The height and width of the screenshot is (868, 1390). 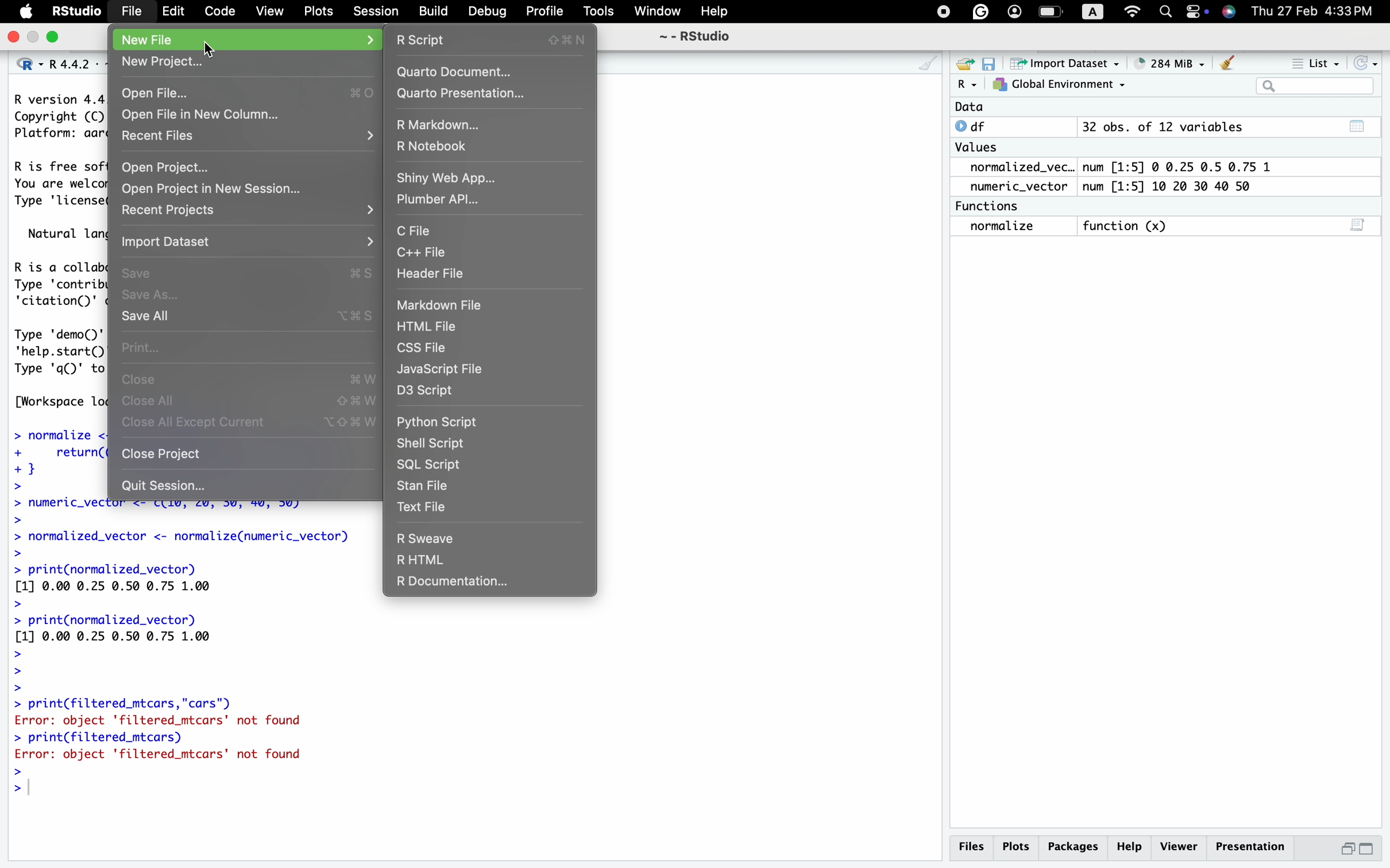 What do you see at coordinates (426, 253) in the screenshot?
I see `C++ File` at bounding box center [426, 253].